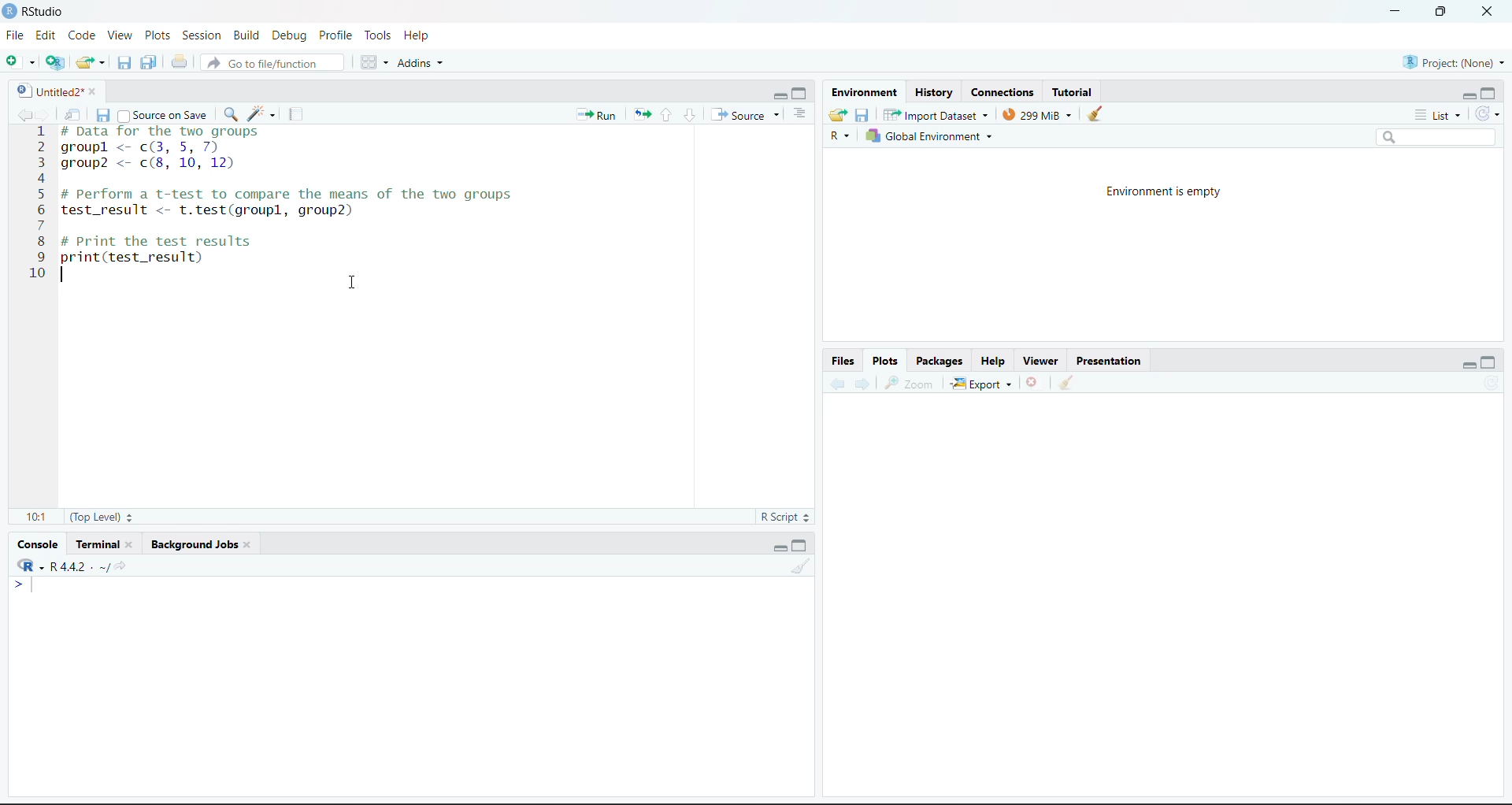  I want to click on refresh the list of objects in the environment, so click(1490, 115).